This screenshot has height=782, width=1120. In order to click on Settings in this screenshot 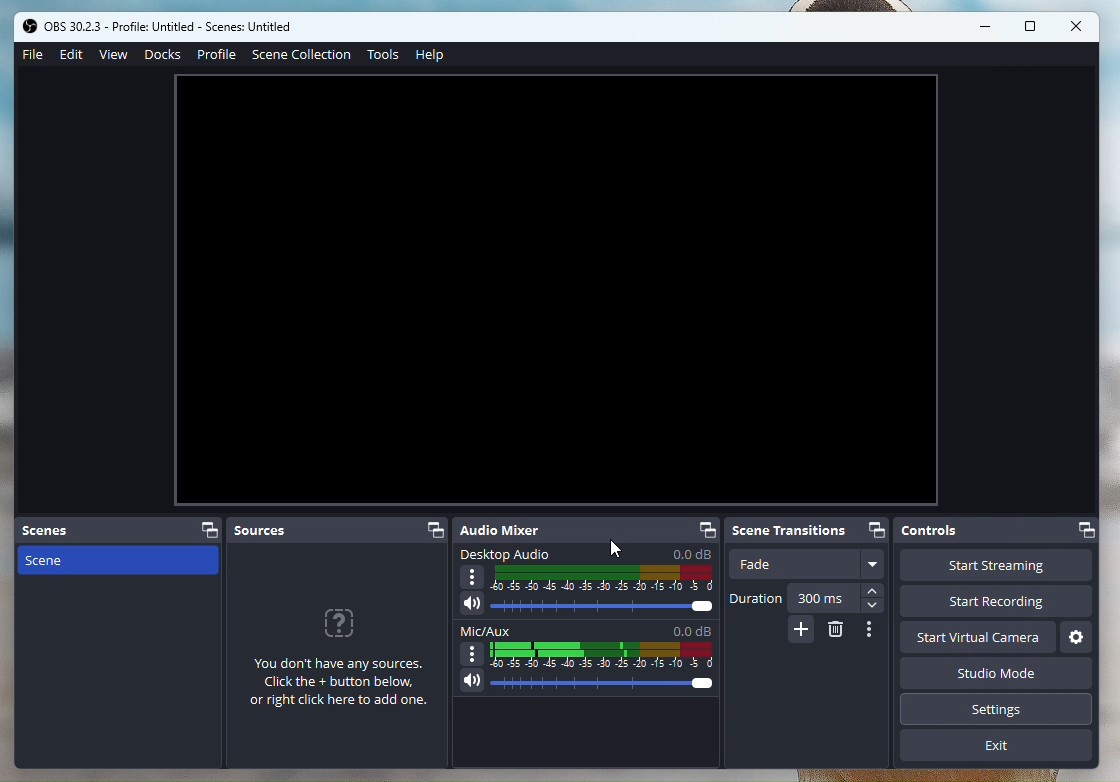, I will do `click(1076, 638)`.